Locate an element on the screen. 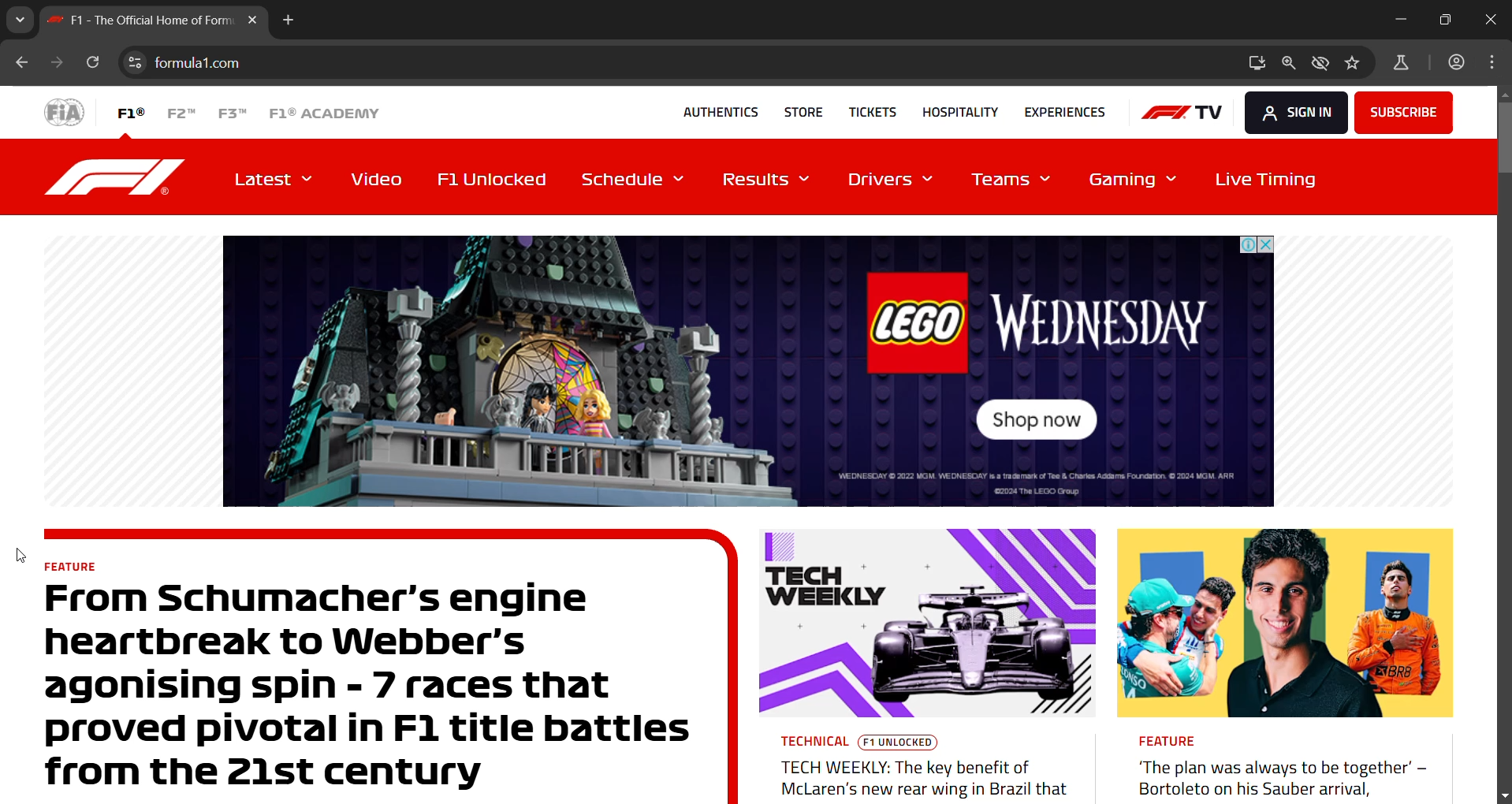  FiA logo is located at coordinates (65, 111).